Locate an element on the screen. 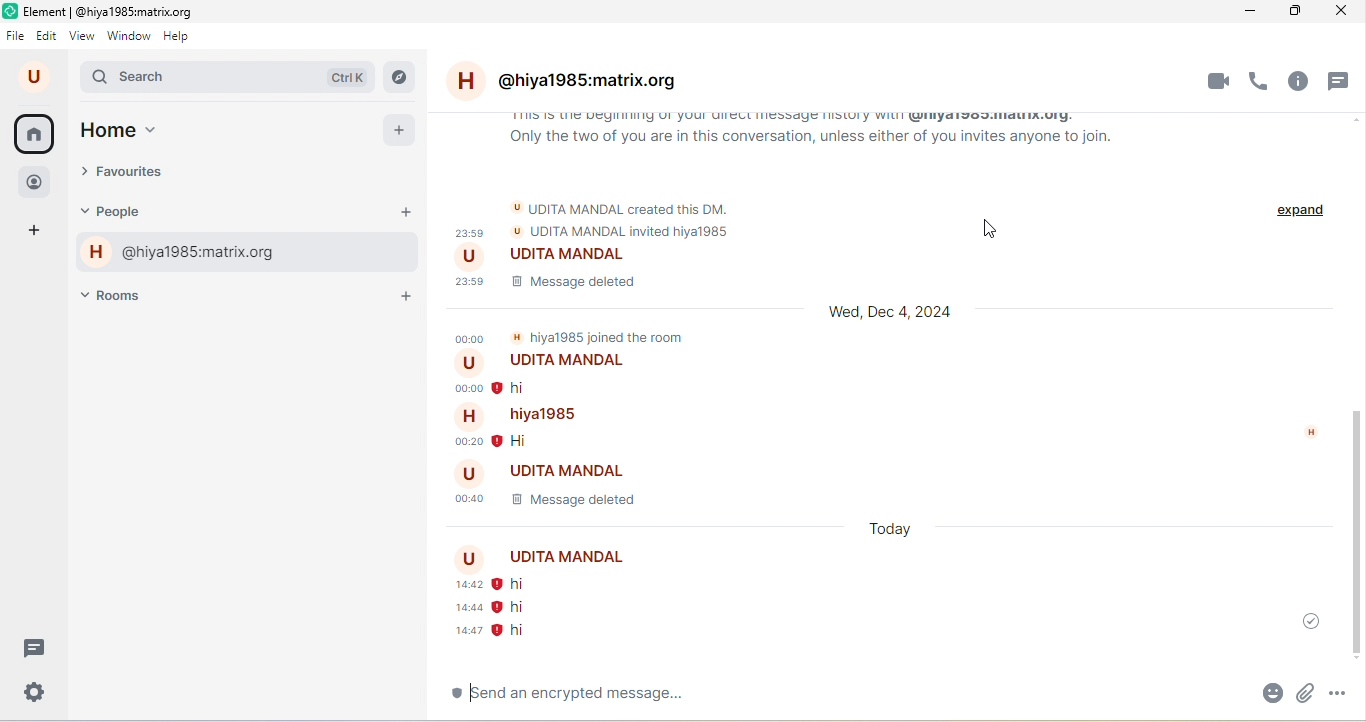 The height and width of the screenshot is (722, 1366). view is located at coordinates (82, 35).